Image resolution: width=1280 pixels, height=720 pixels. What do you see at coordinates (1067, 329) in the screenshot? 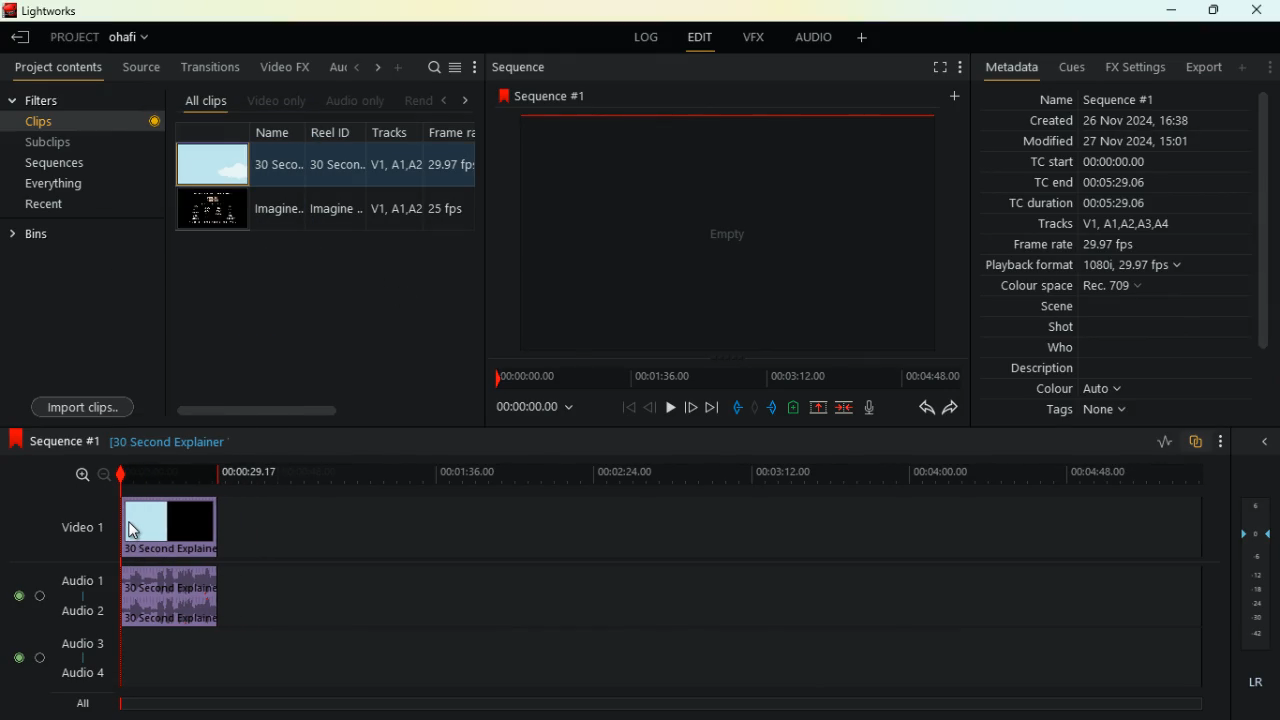
I see `shot` at bounding box center [1067, 329].